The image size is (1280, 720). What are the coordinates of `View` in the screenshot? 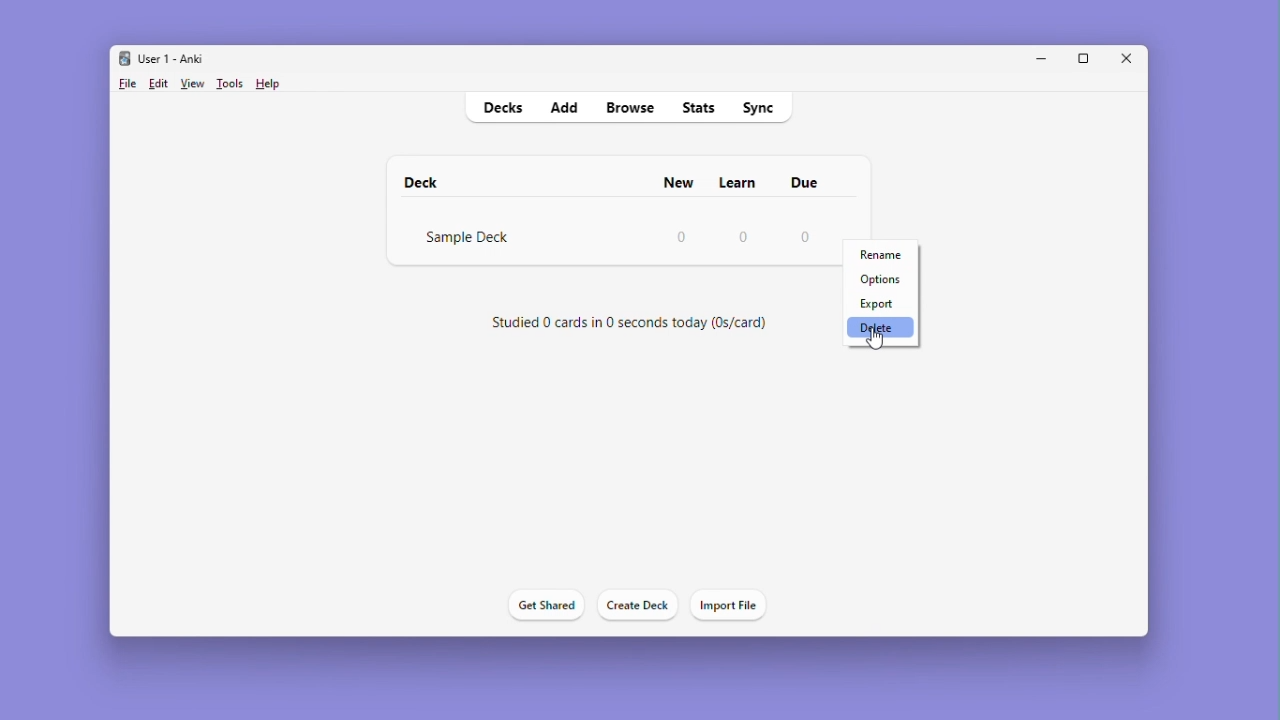 It's located at (192, 83).